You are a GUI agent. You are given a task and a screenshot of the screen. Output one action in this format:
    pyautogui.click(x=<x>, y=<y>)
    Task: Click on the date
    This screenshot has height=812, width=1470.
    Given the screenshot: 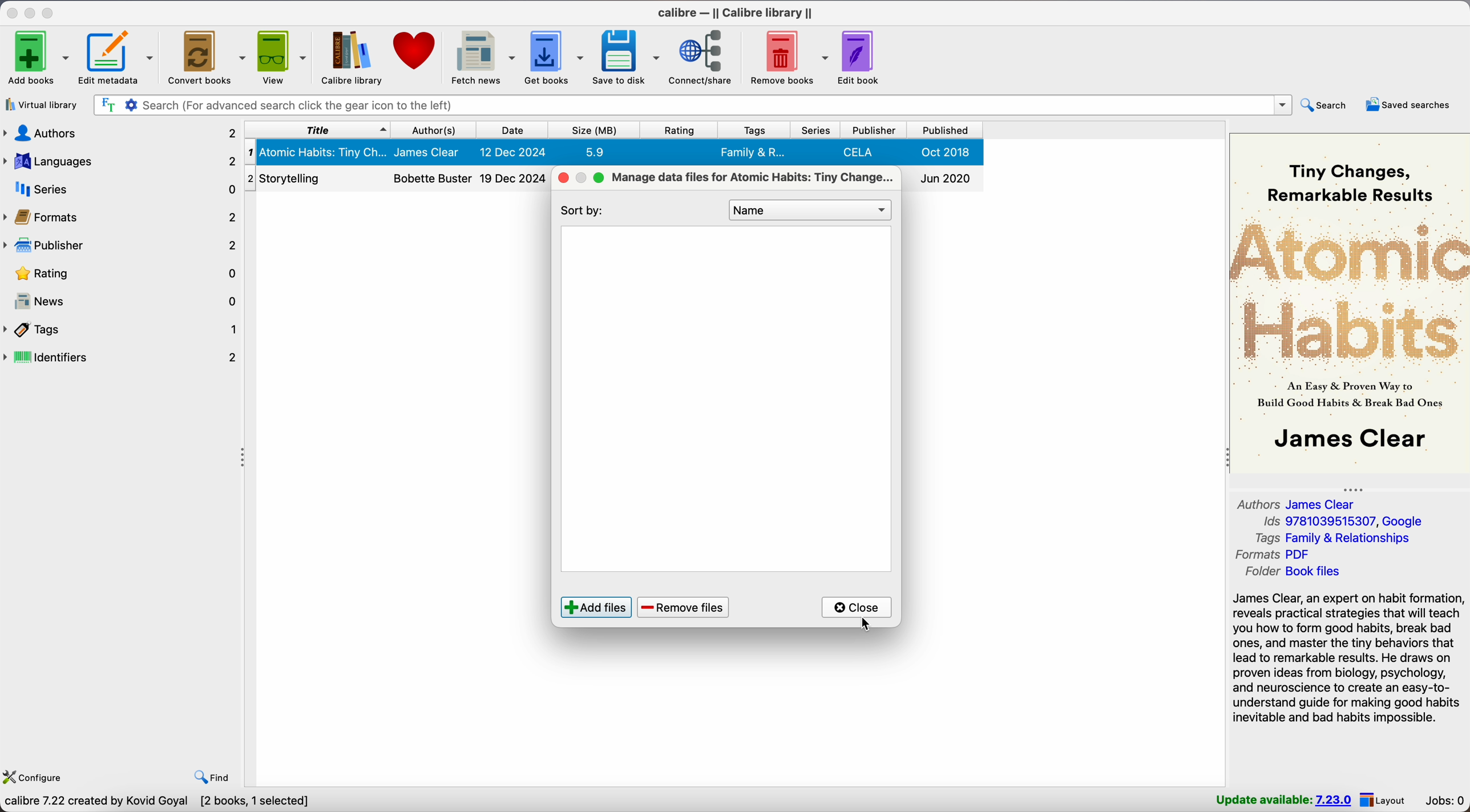 What is the action you would take?
    pyautogui.click(x=512, y=130)
    